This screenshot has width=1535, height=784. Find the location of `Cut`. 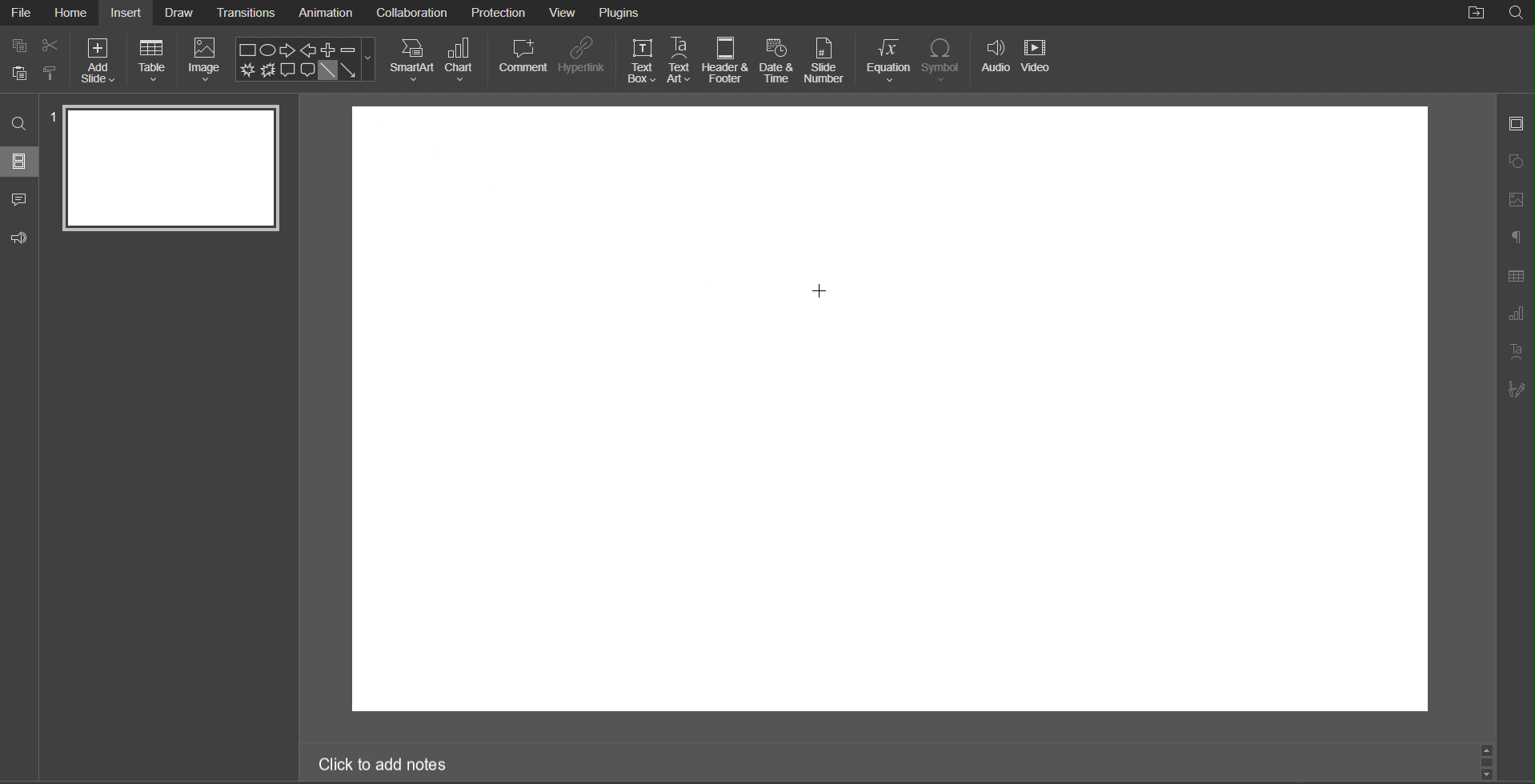

Cut is located at coordinates (54, 46).